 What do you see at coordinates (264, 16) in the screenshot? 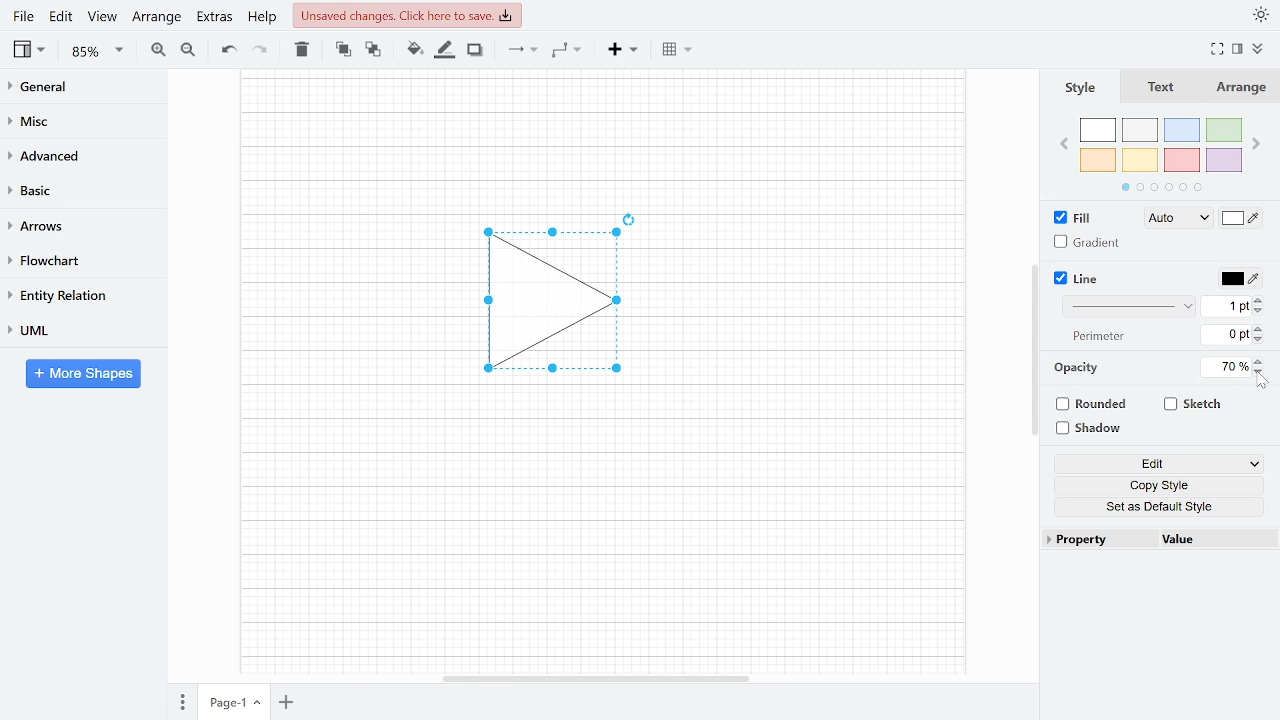
I see `help` at bounding box center [264, 16].